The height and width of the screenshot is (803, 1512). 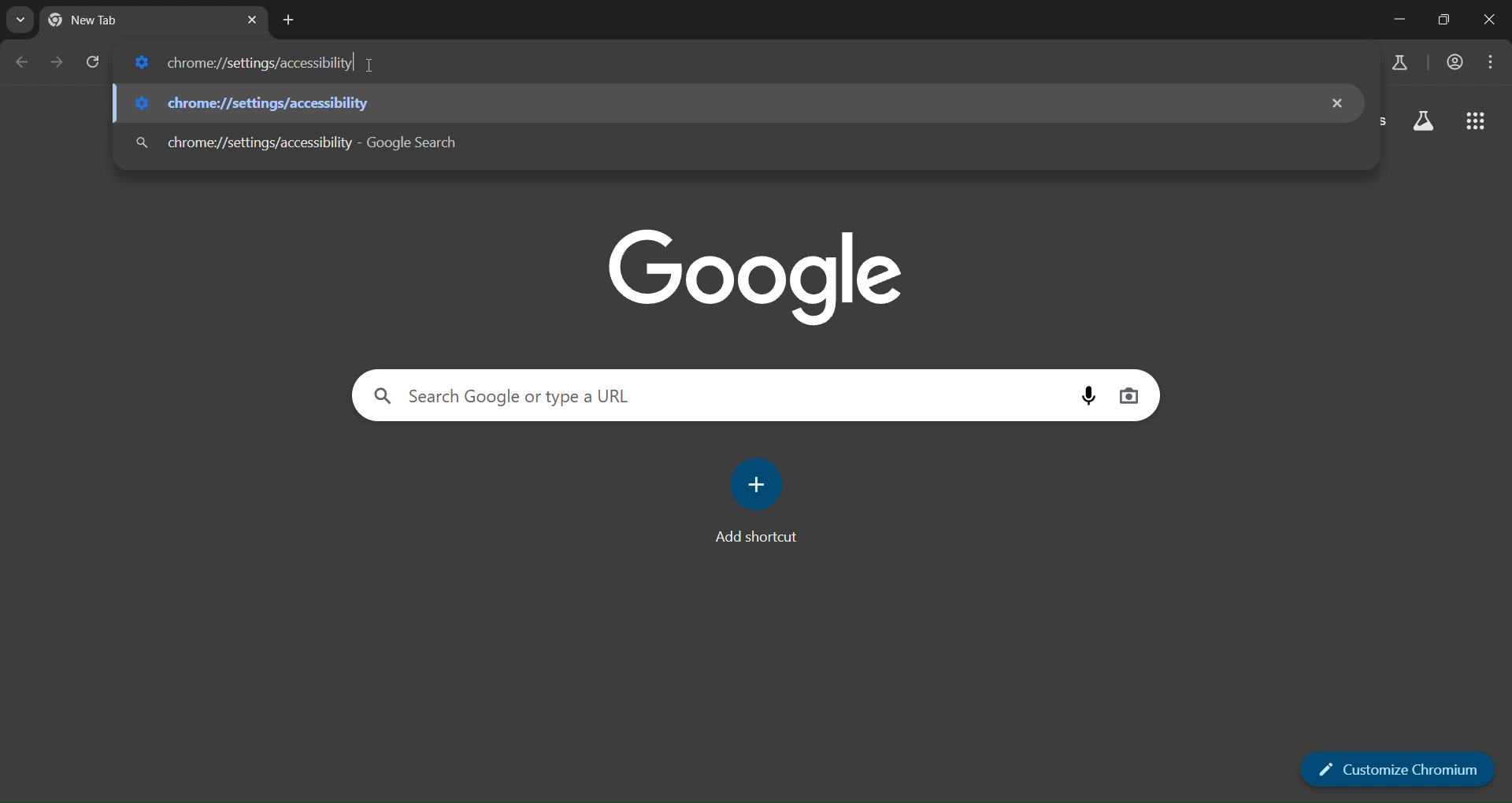 I want to click on menu, so click(x=1492, y=63).